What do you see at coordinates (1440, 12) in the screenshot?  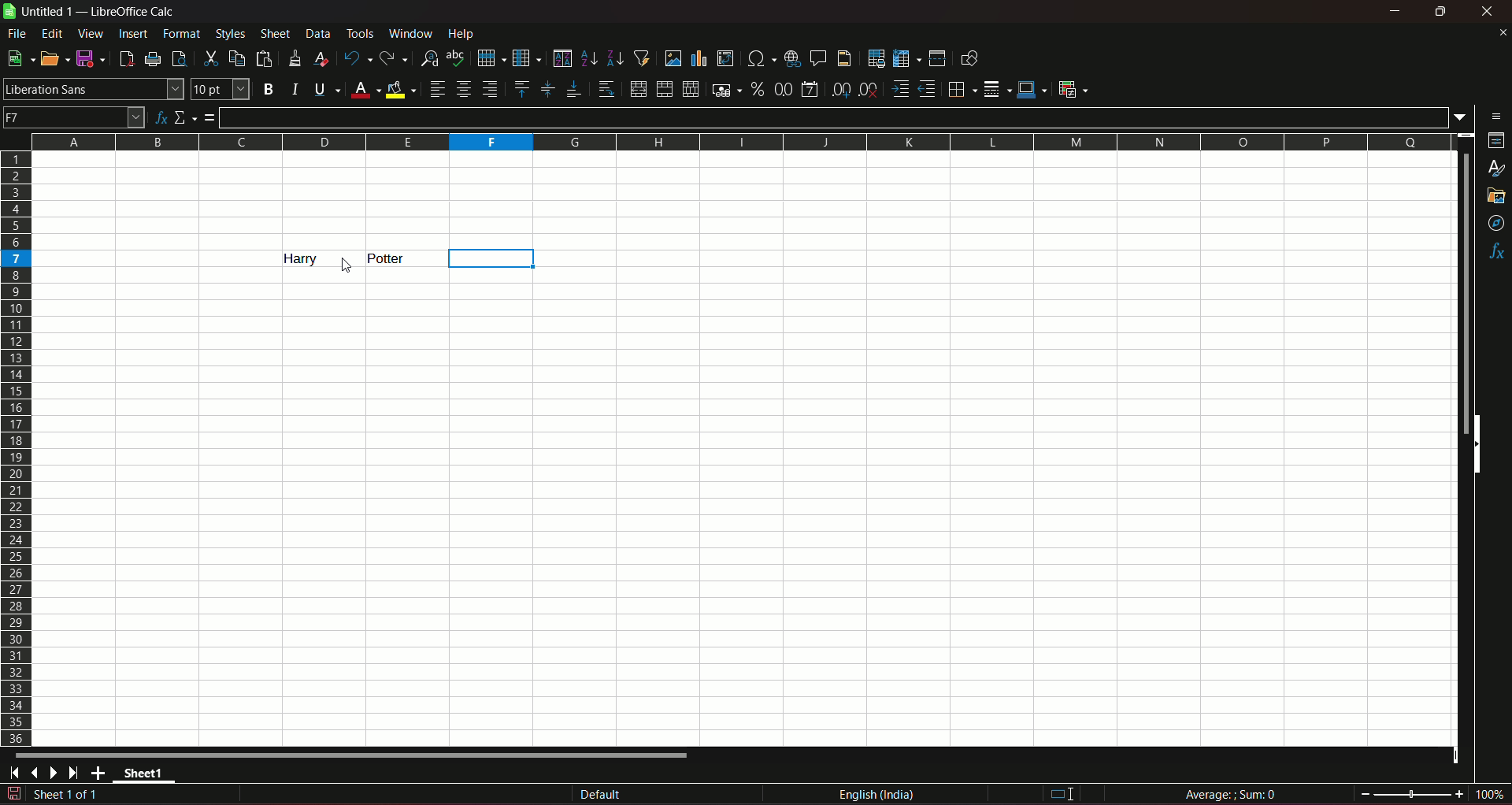 I see `minimize & maximize` at bounding box center [1440, 12].